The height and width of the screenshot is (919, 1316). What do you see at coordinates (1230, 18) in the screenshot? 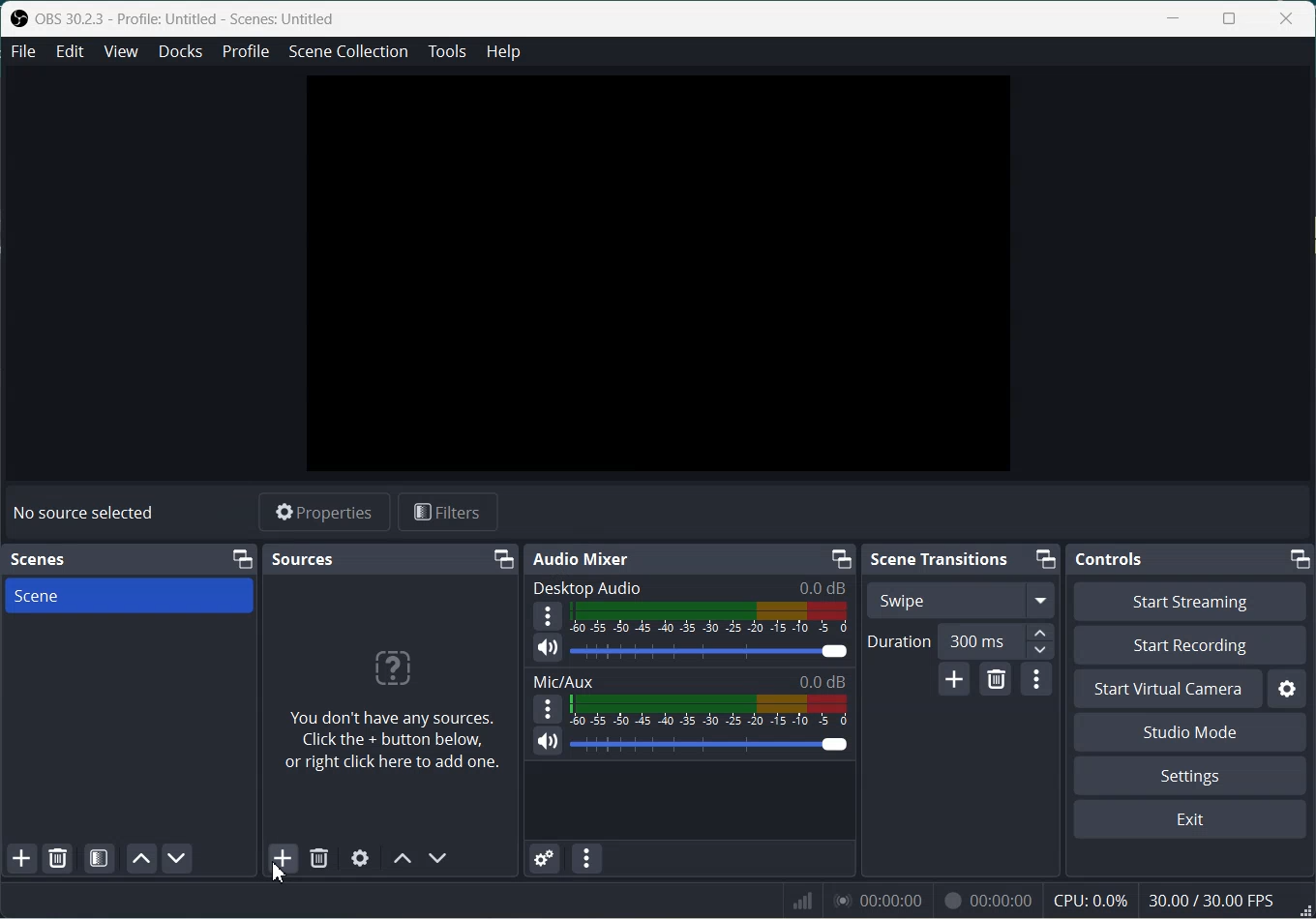
I see `Maximize` at bounding box center [1230, 18].